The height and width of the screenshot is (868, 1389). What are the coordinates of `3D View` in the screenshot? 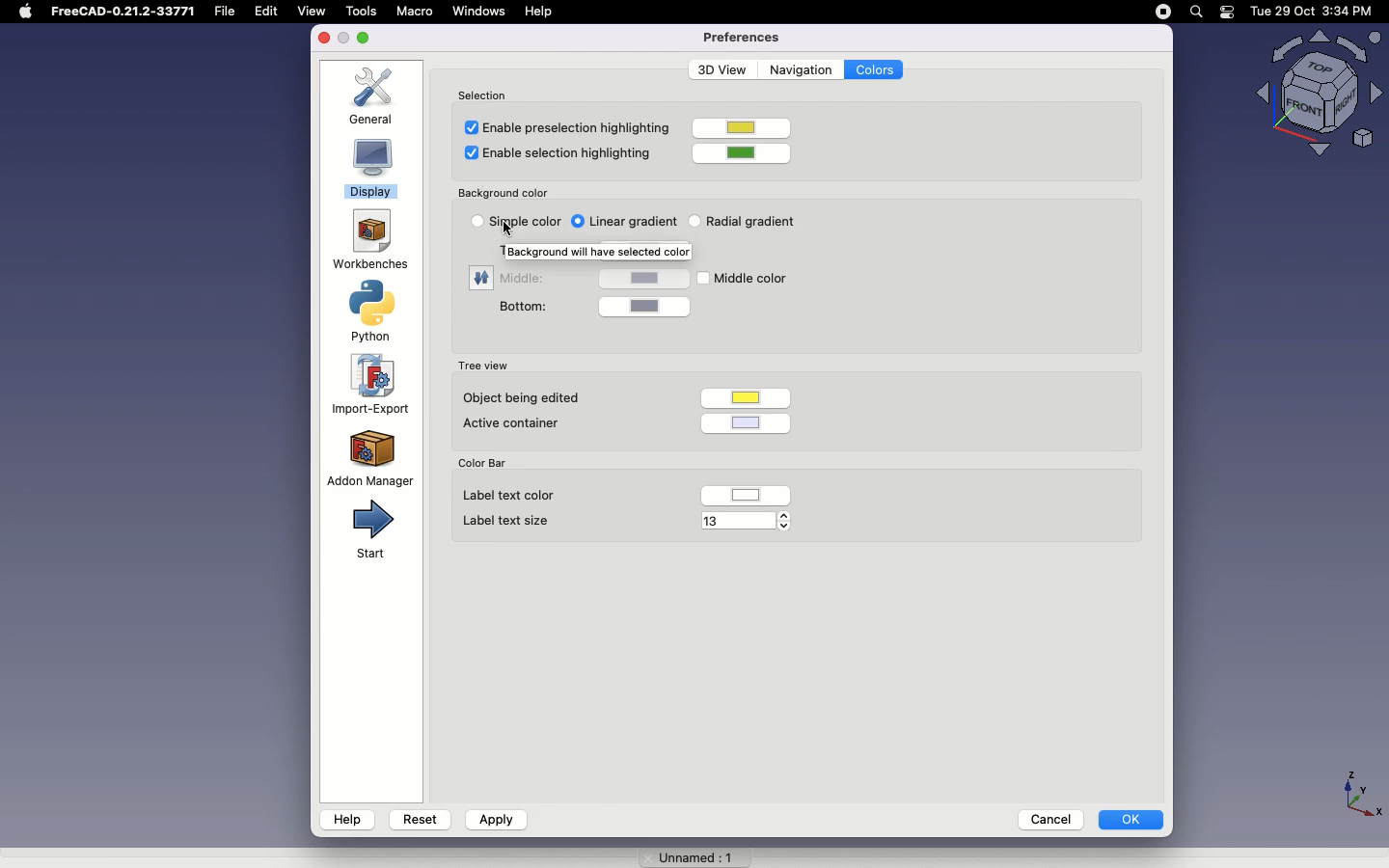 It's located at (719, 69).